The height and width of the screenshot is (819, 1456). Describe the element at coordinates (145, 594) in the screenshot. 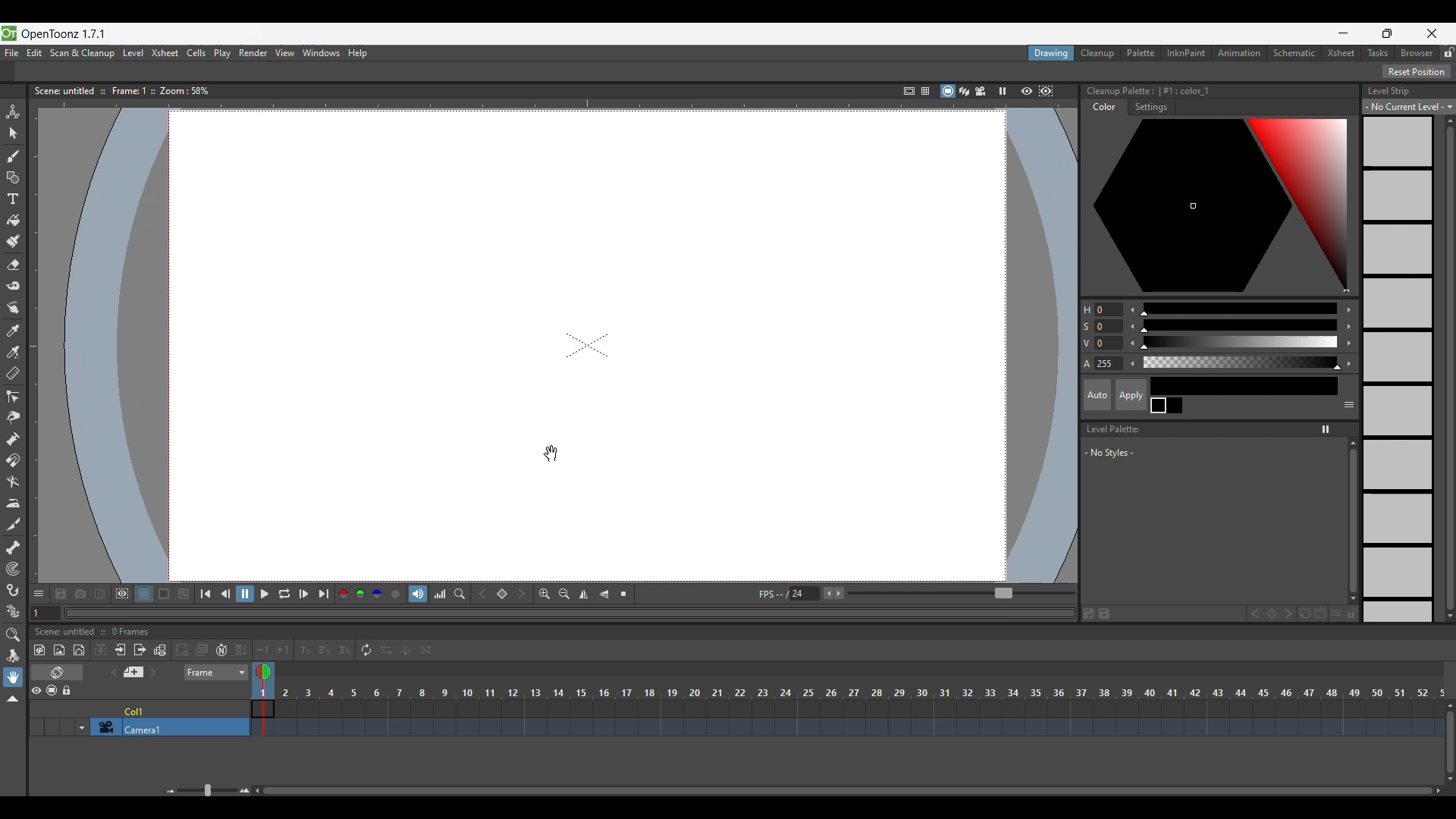

I see `White background` at that location.